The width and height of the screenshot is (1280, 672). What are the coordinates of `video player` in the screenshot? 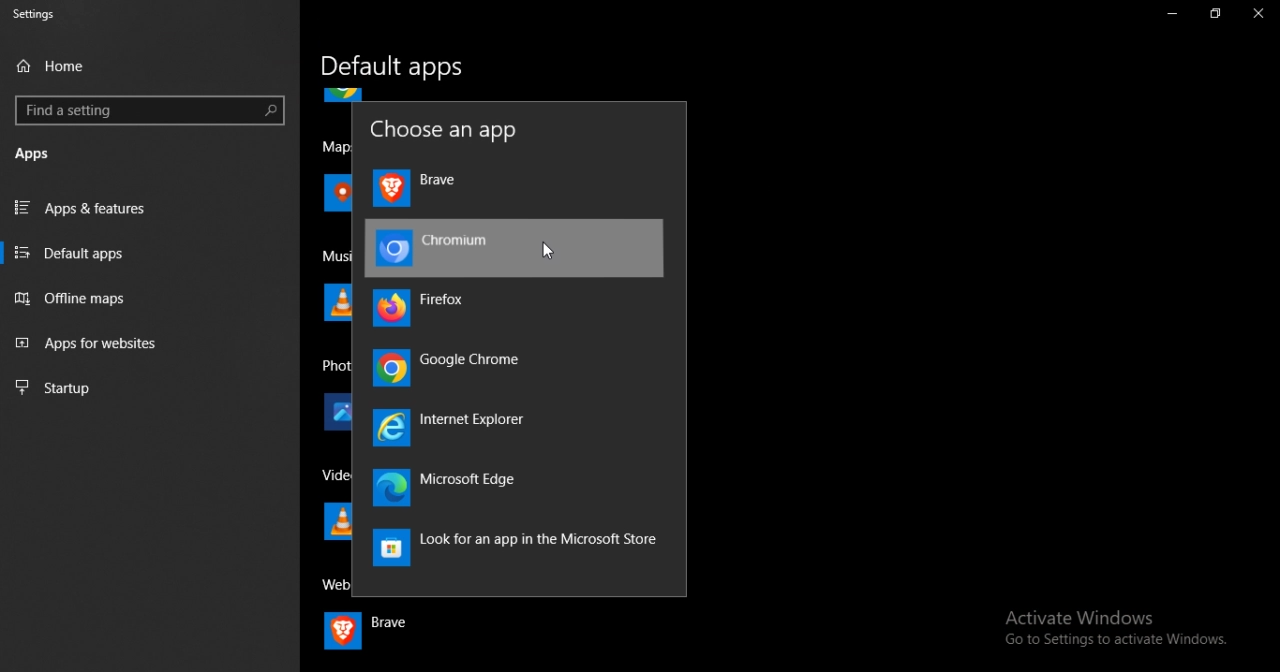 It's located at (336, 477).